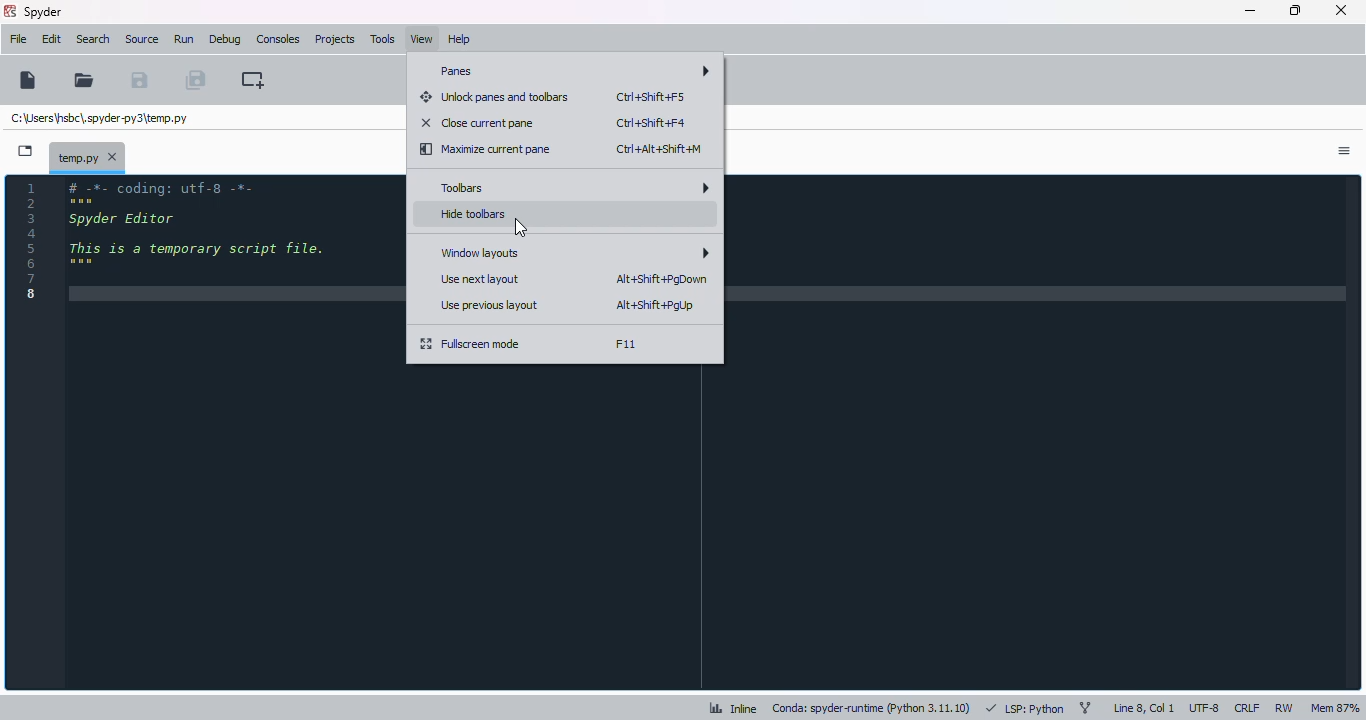 The image size is (1366, 720). I want to click on run, so click(184, 40).